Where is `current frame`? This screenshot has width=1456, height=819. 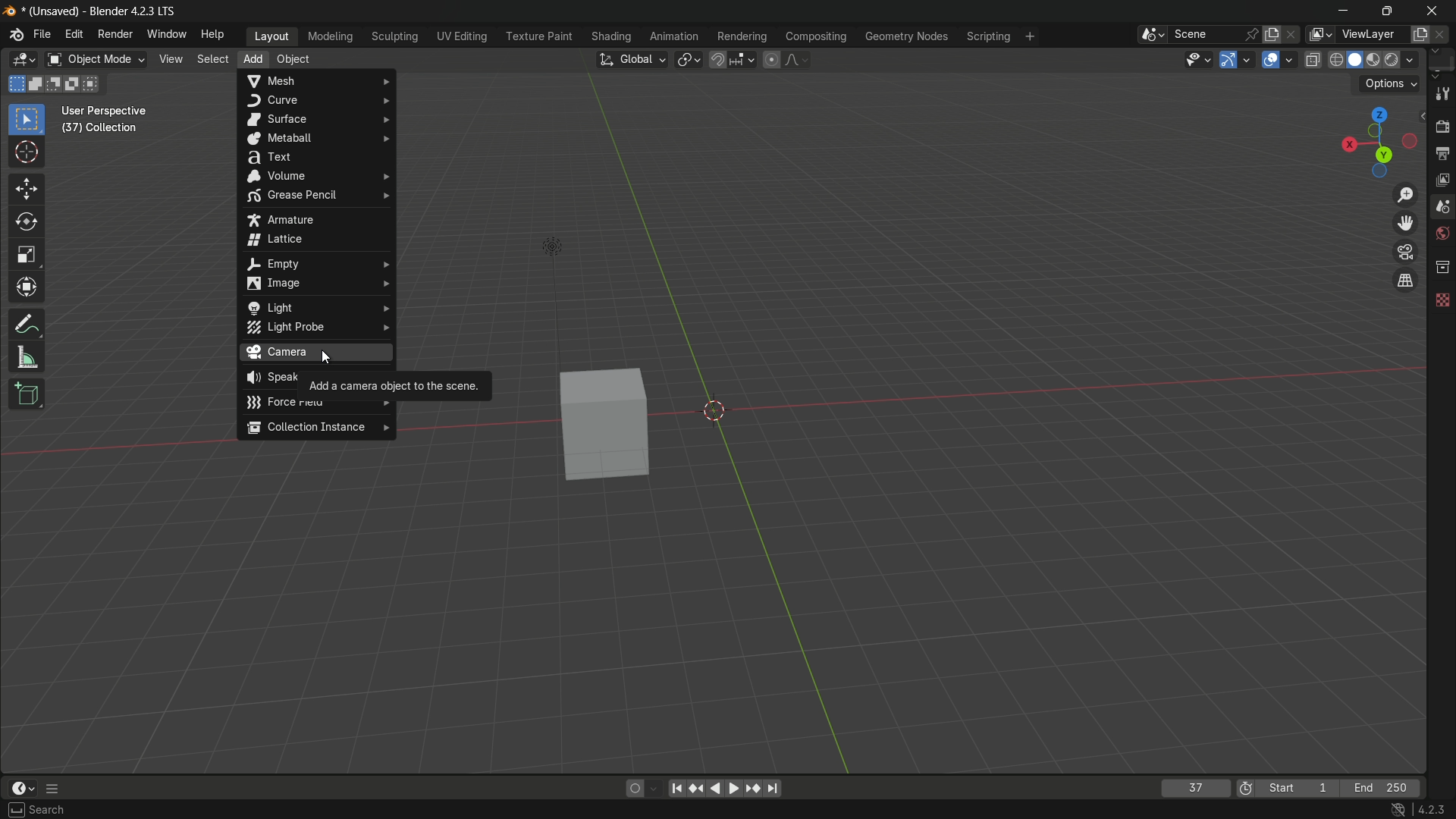 current frame is located at coordinates (1196, 788).